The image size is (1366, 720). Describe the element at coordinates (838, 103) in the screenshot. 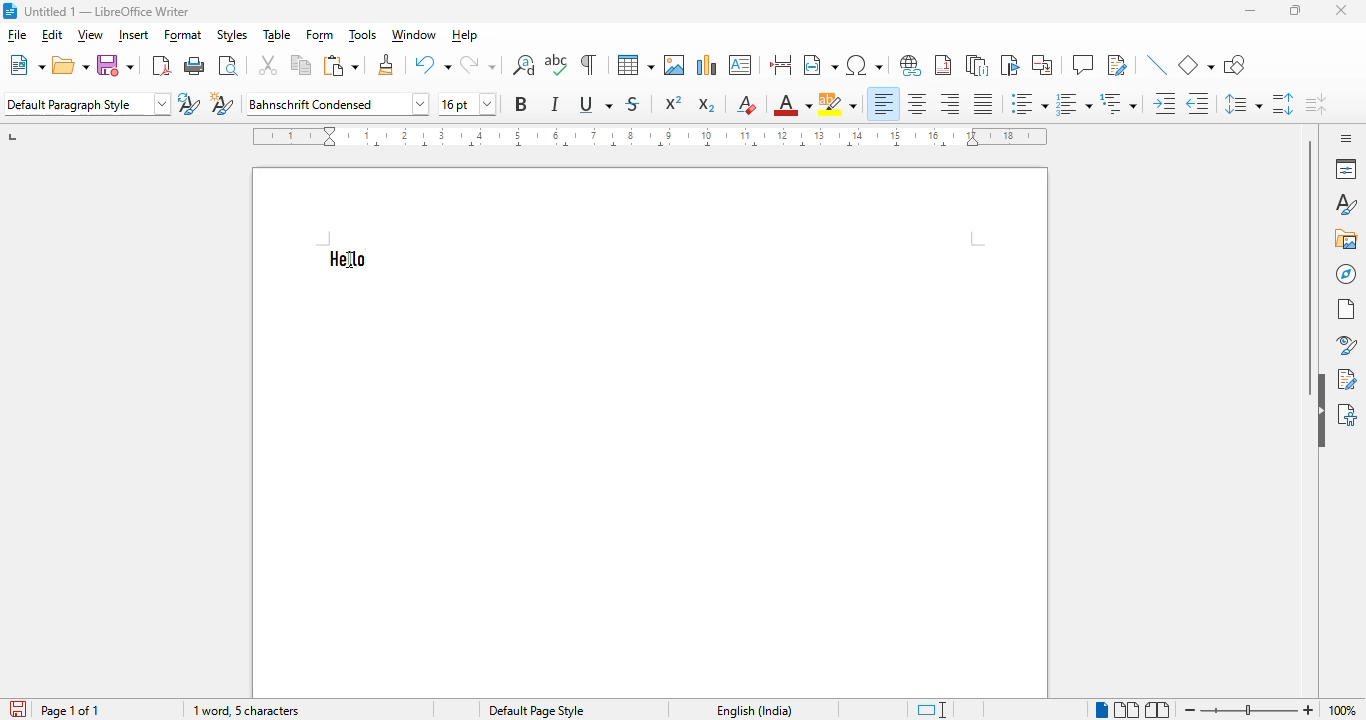

I see `character highlighting color` at that location.